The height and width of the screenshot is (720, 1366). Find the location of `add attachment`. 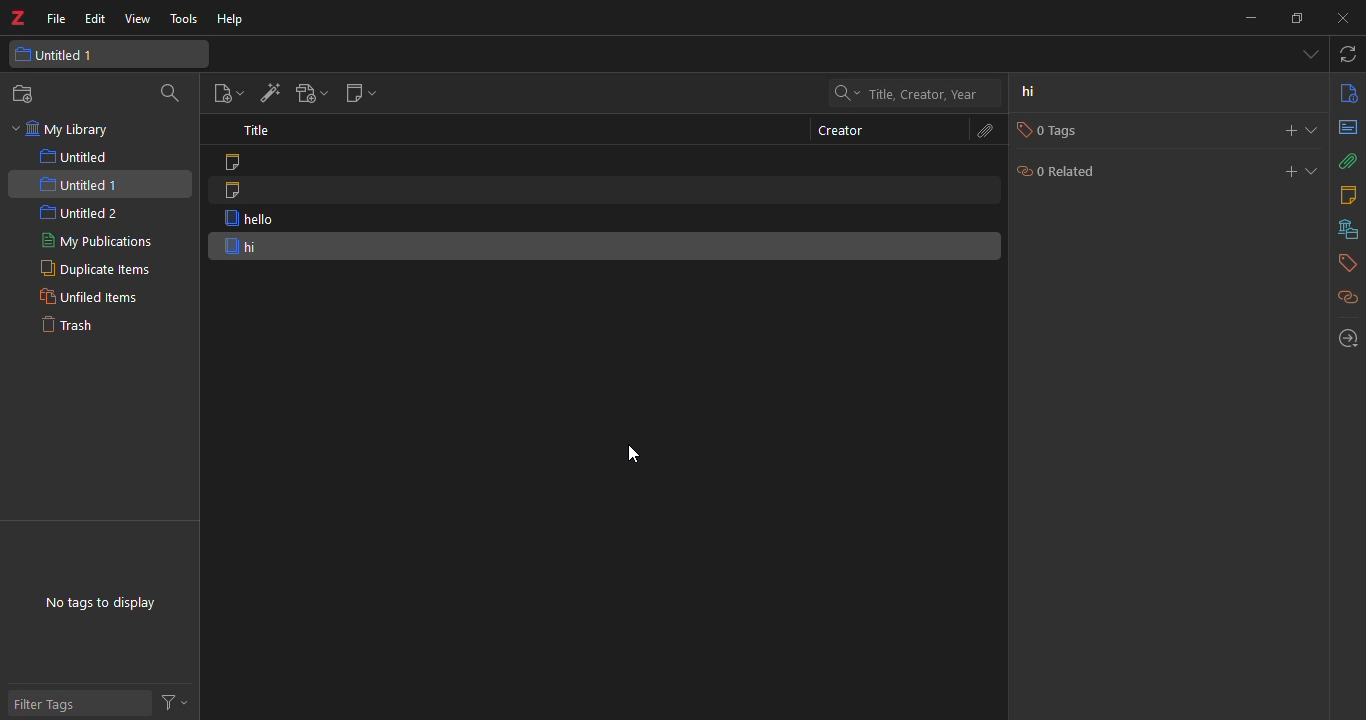

add attachment is located at coordinates (309, 93).